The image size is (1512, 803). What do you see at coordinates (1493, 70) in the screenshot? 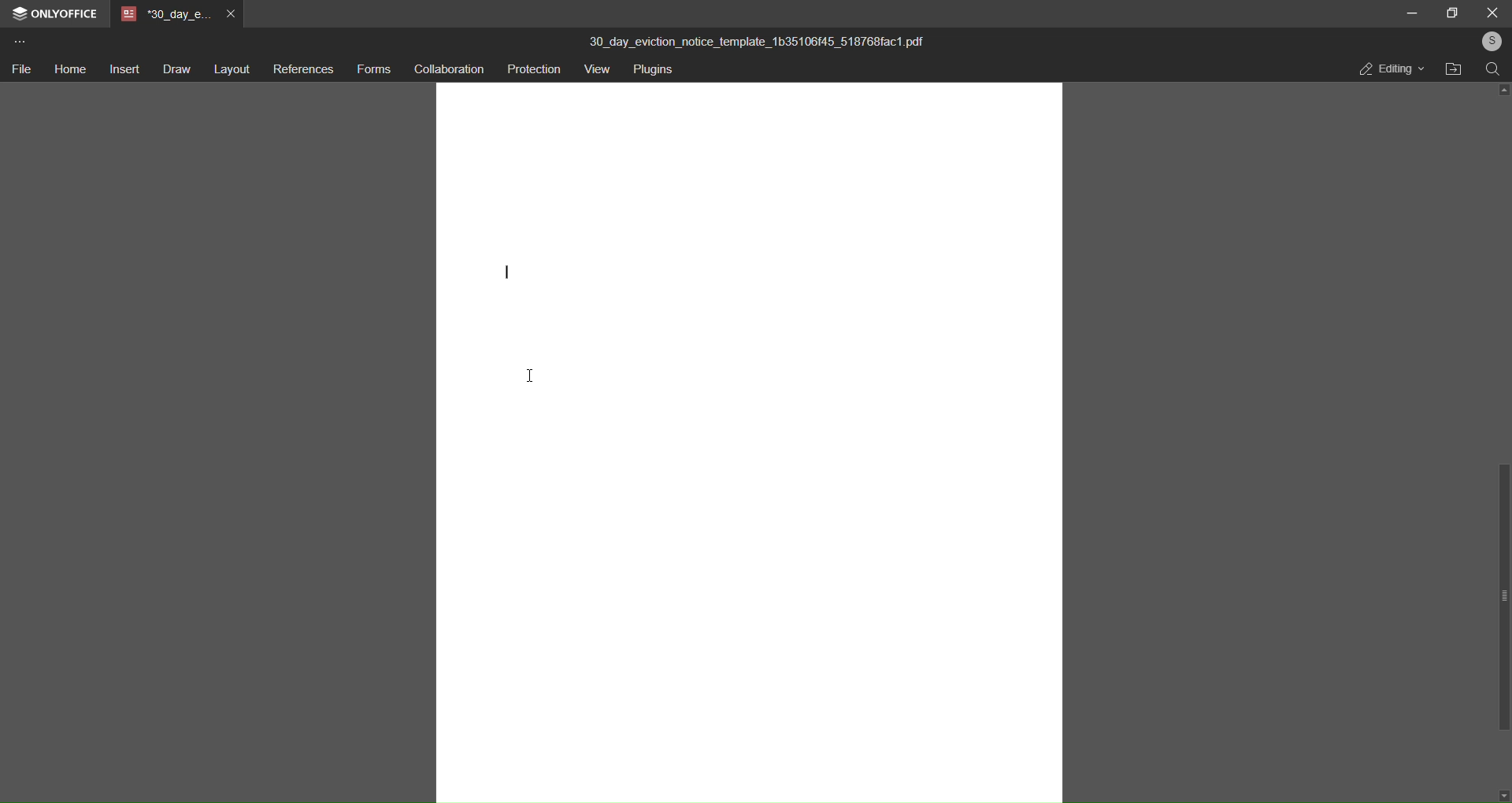
I see `search` at bounding box center [1493, 70].